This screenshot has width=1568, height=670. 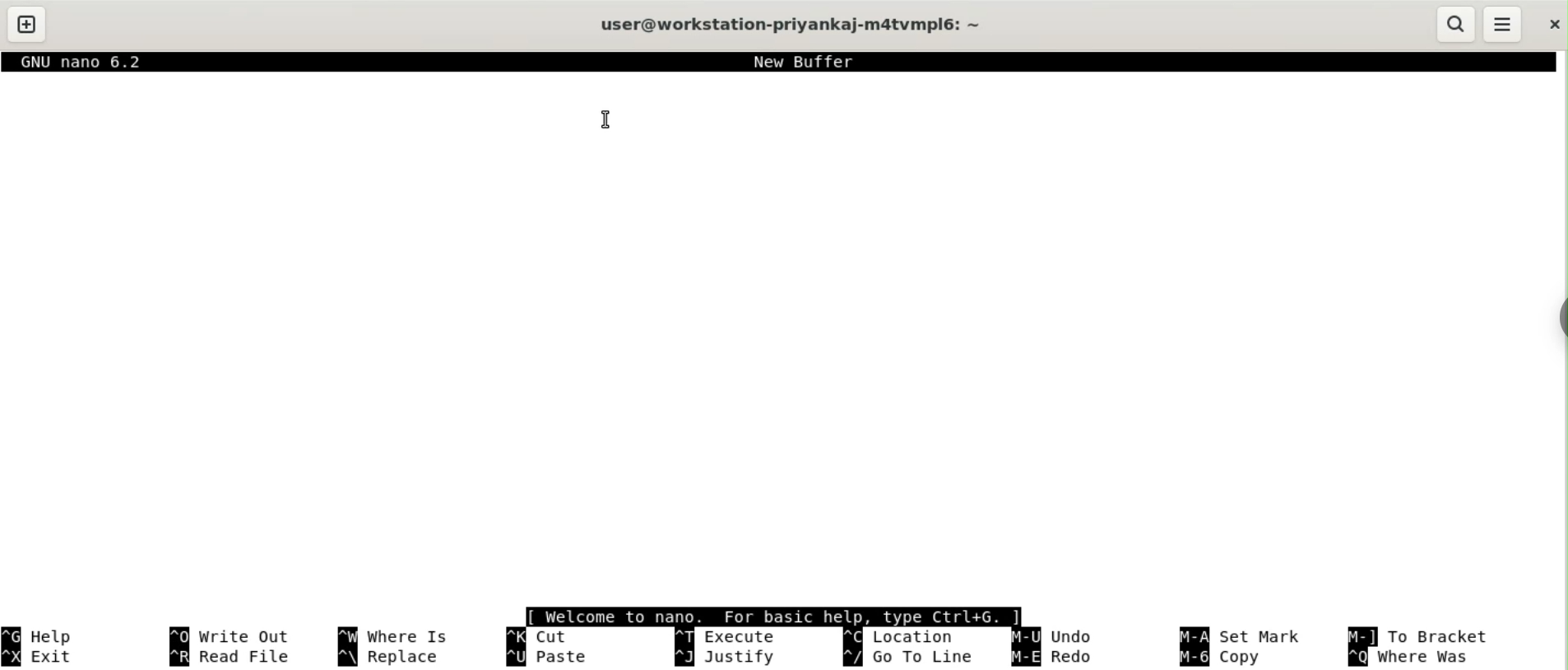 What do you see at coordinates (1417, 657) in the screenshot?
I see `where was` at bounding box center [1417, 657].